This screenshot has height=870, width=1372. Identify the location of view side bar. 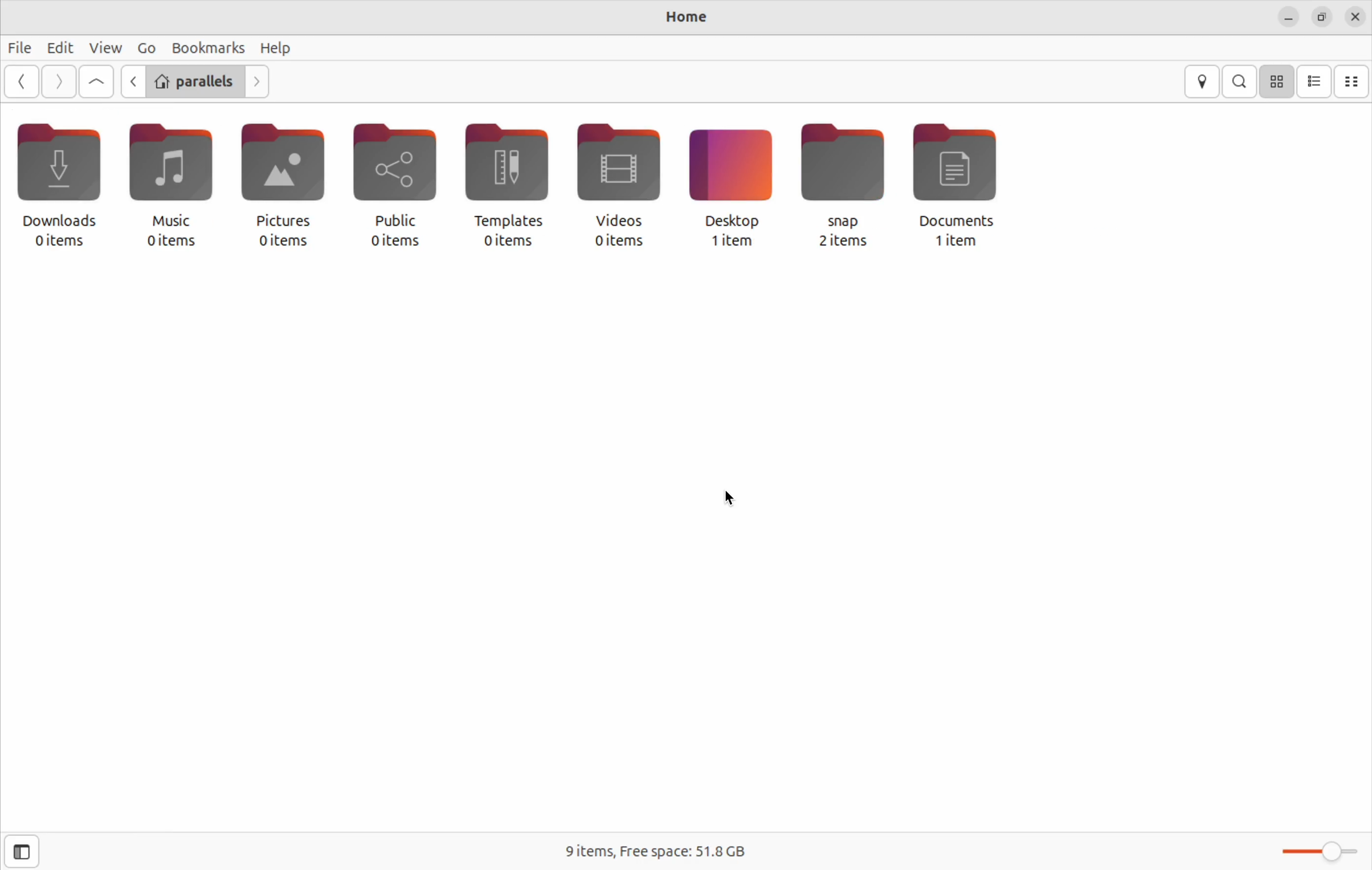
(21, 850).